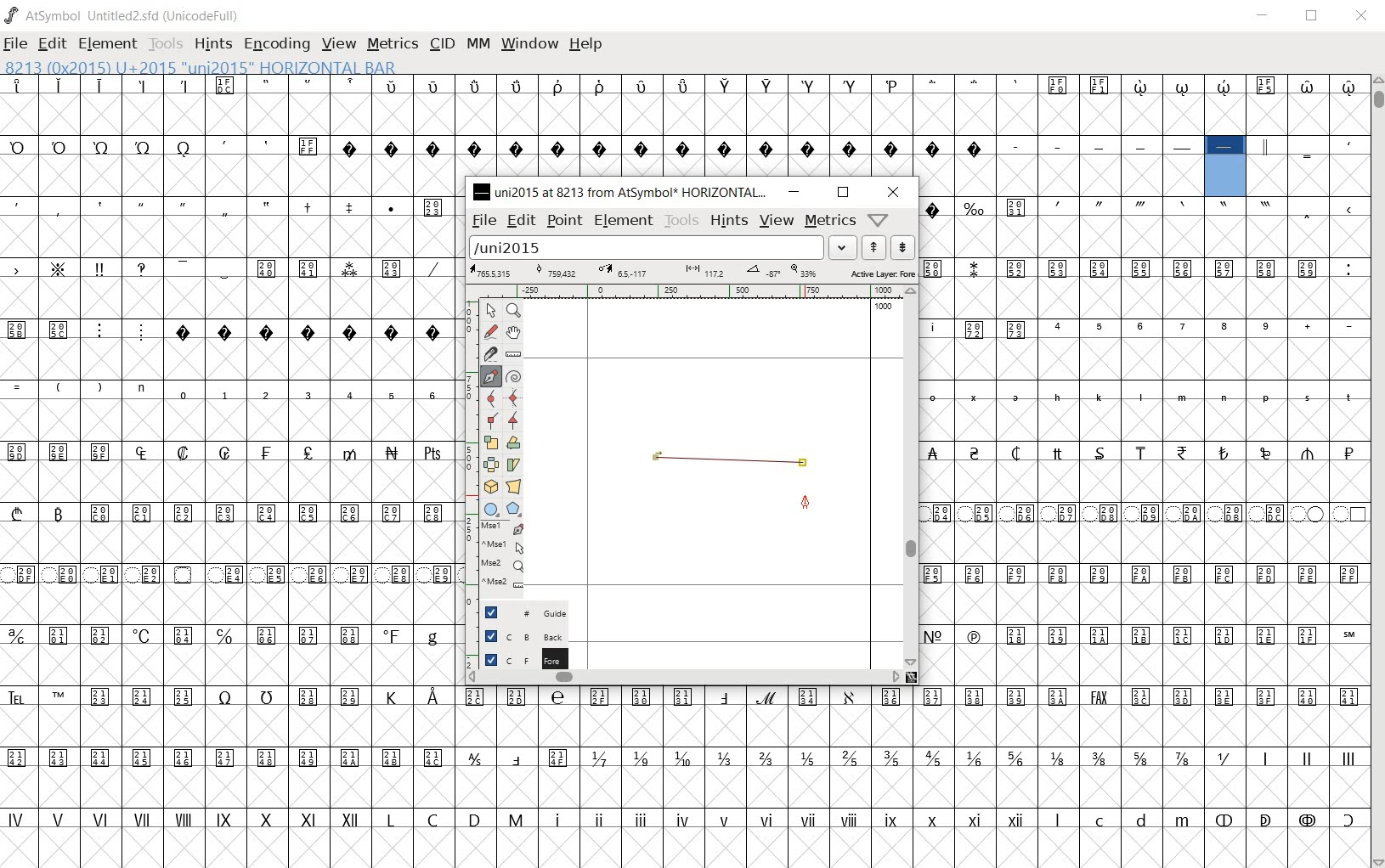  What do you see at coordinates (199, 67) in the screenshot?
I see `8213 (0x2015) U+2015 "uni2015" HORIZONTAL BAR` at bounding box center [199, 67].